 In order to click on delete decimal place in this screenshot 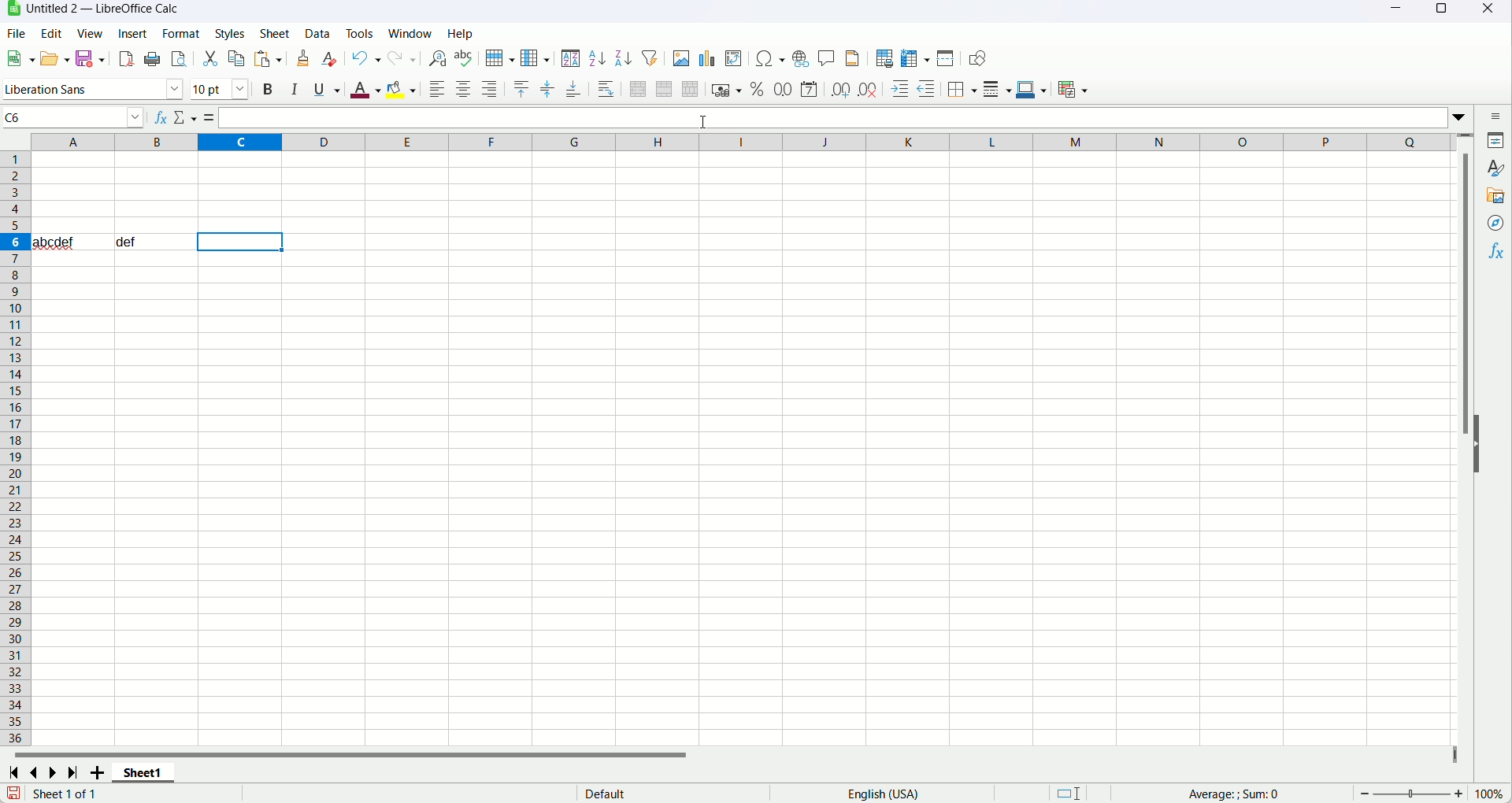, I will do `click(867, 91)`.